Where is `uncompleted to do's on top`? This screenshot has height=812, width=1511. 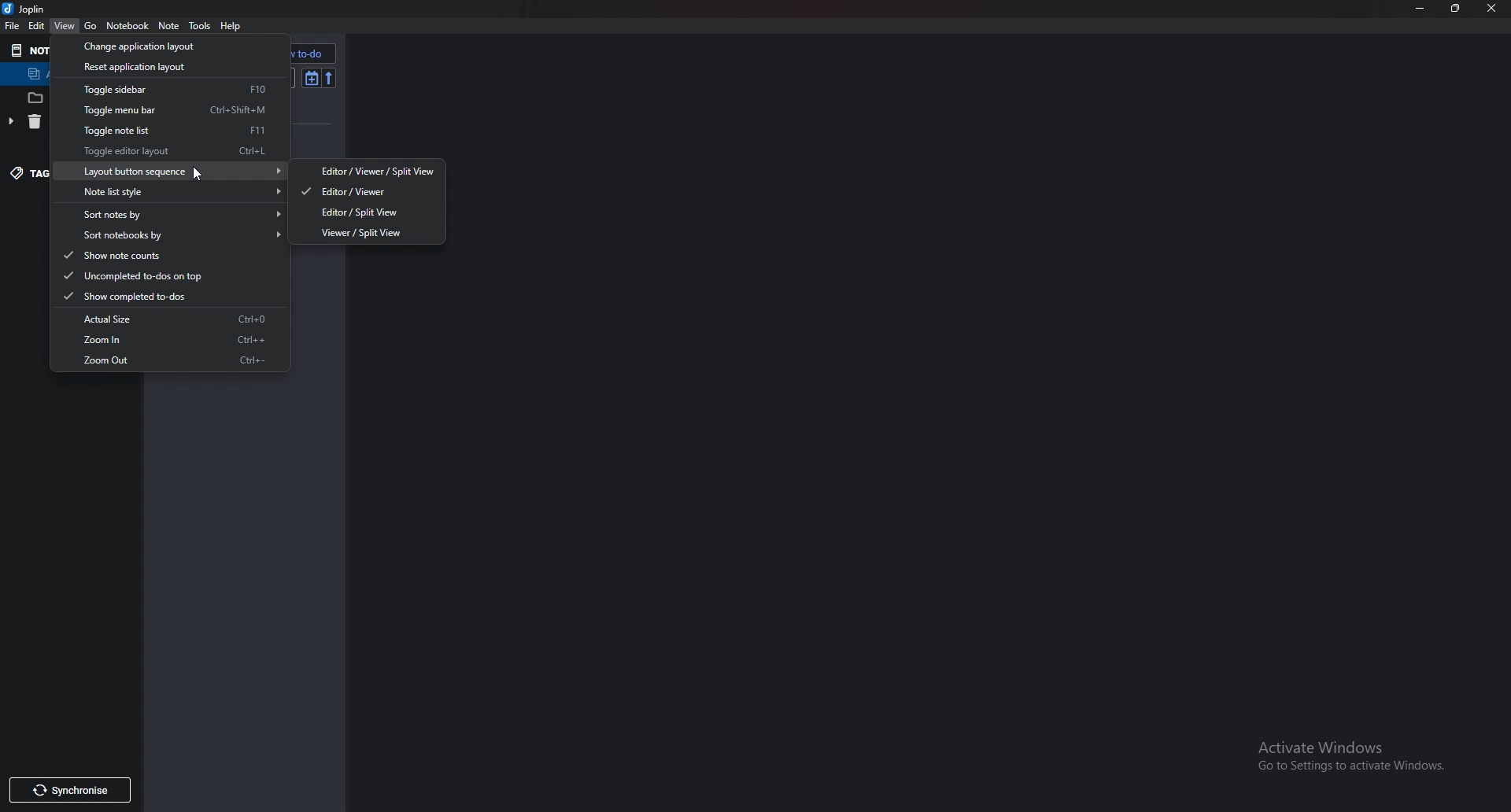
uncompleted to do's on top is located at coordinates (159, 275).